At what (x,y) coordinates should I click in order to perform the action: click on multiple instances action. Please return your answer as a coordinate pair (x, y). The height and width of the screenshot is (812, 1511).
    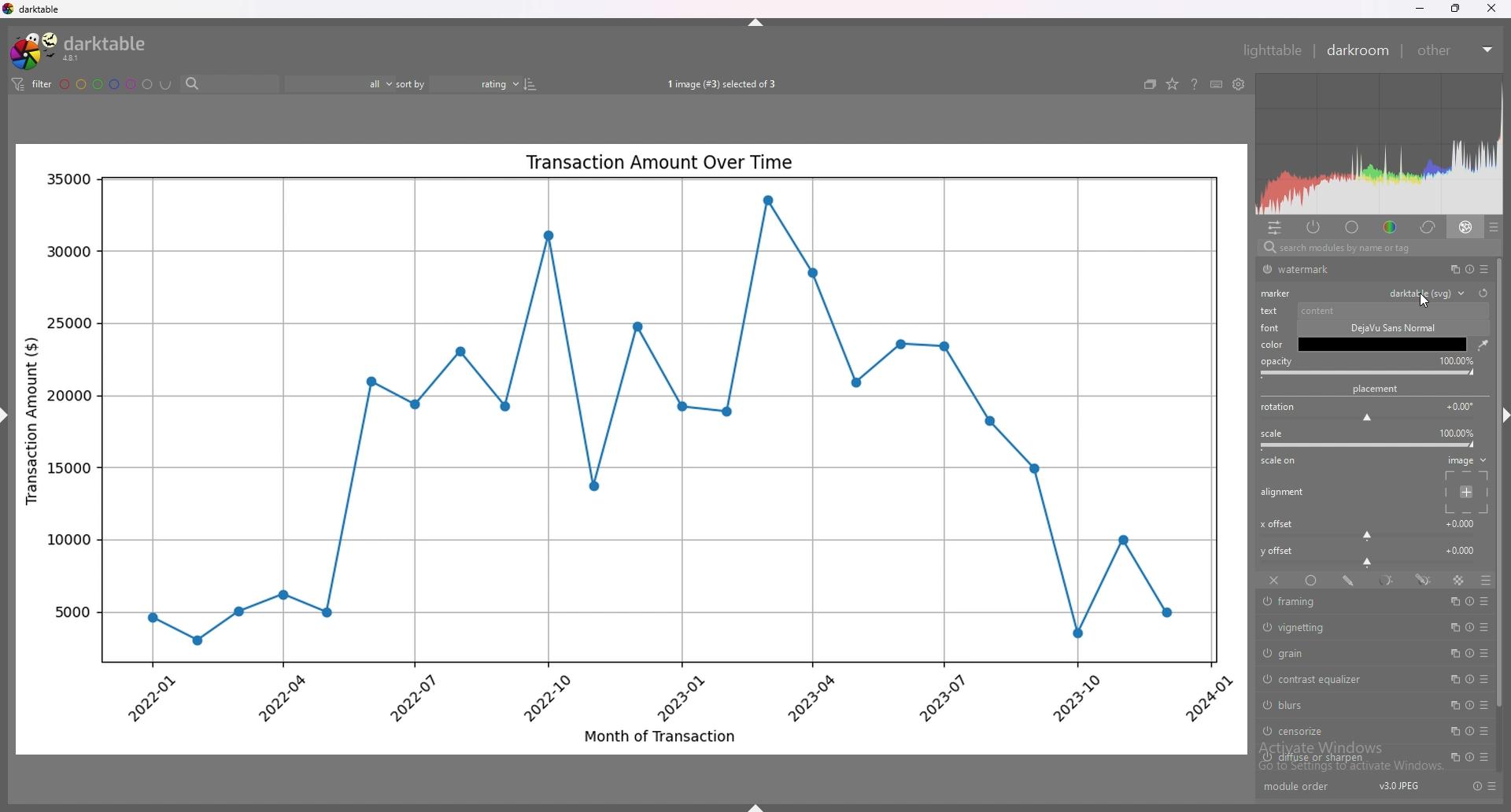
    Looking at the image, I should click on (1450, 269).